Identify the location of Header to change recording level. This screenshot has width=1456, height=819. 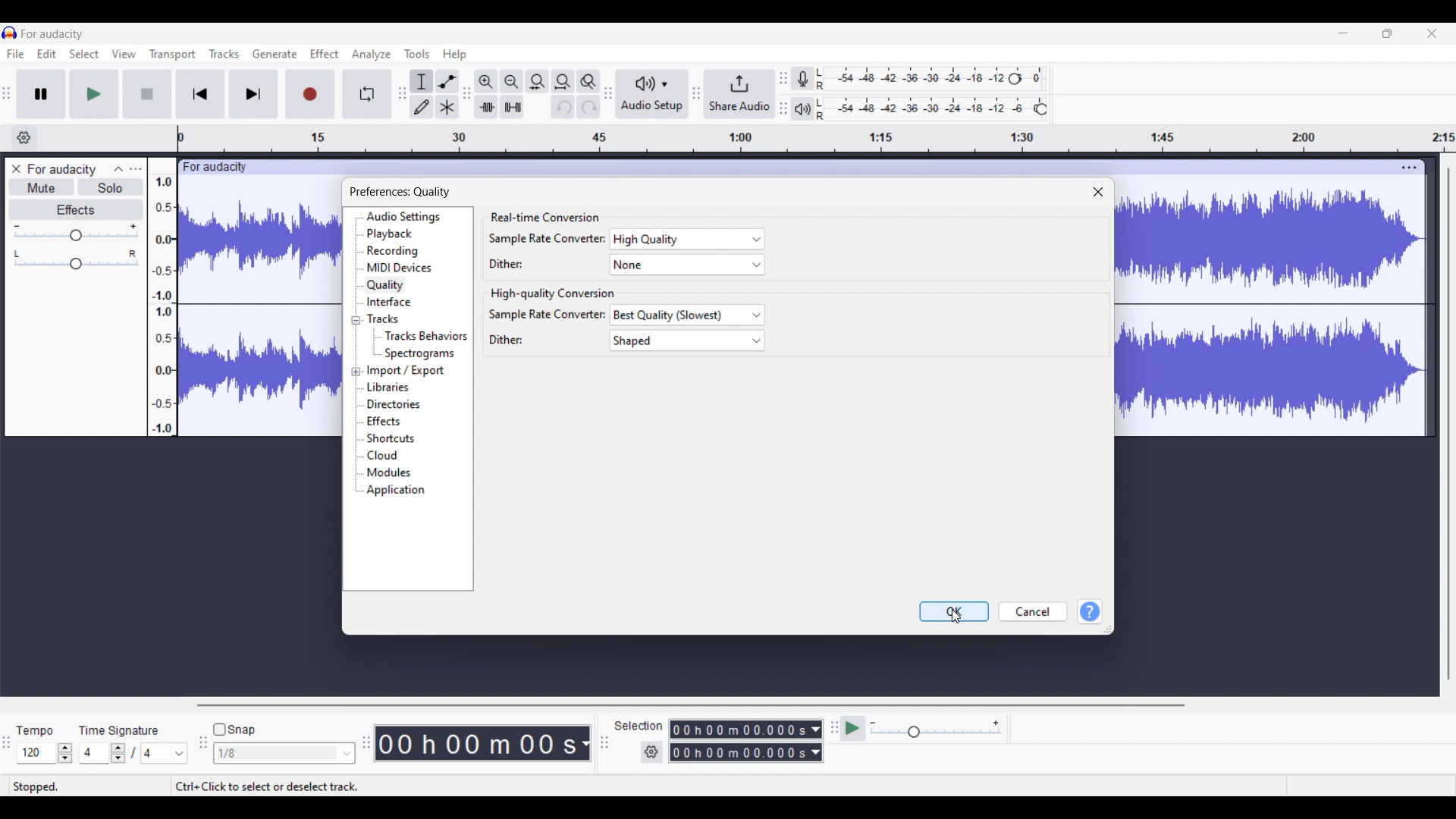
(1015, 79).